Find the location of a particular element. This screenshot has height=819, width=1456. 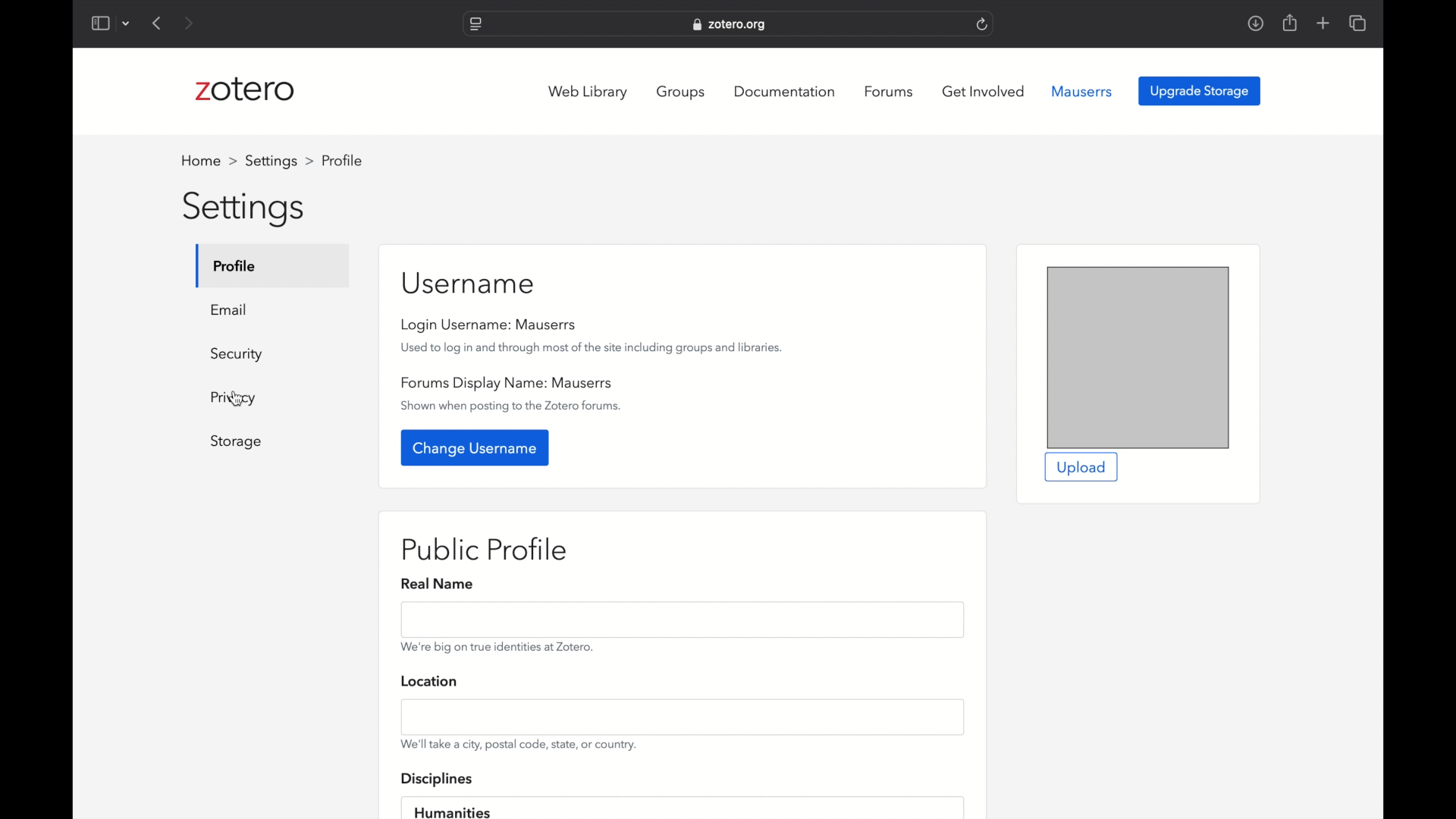

upload is located at coordinates (1081, 467).